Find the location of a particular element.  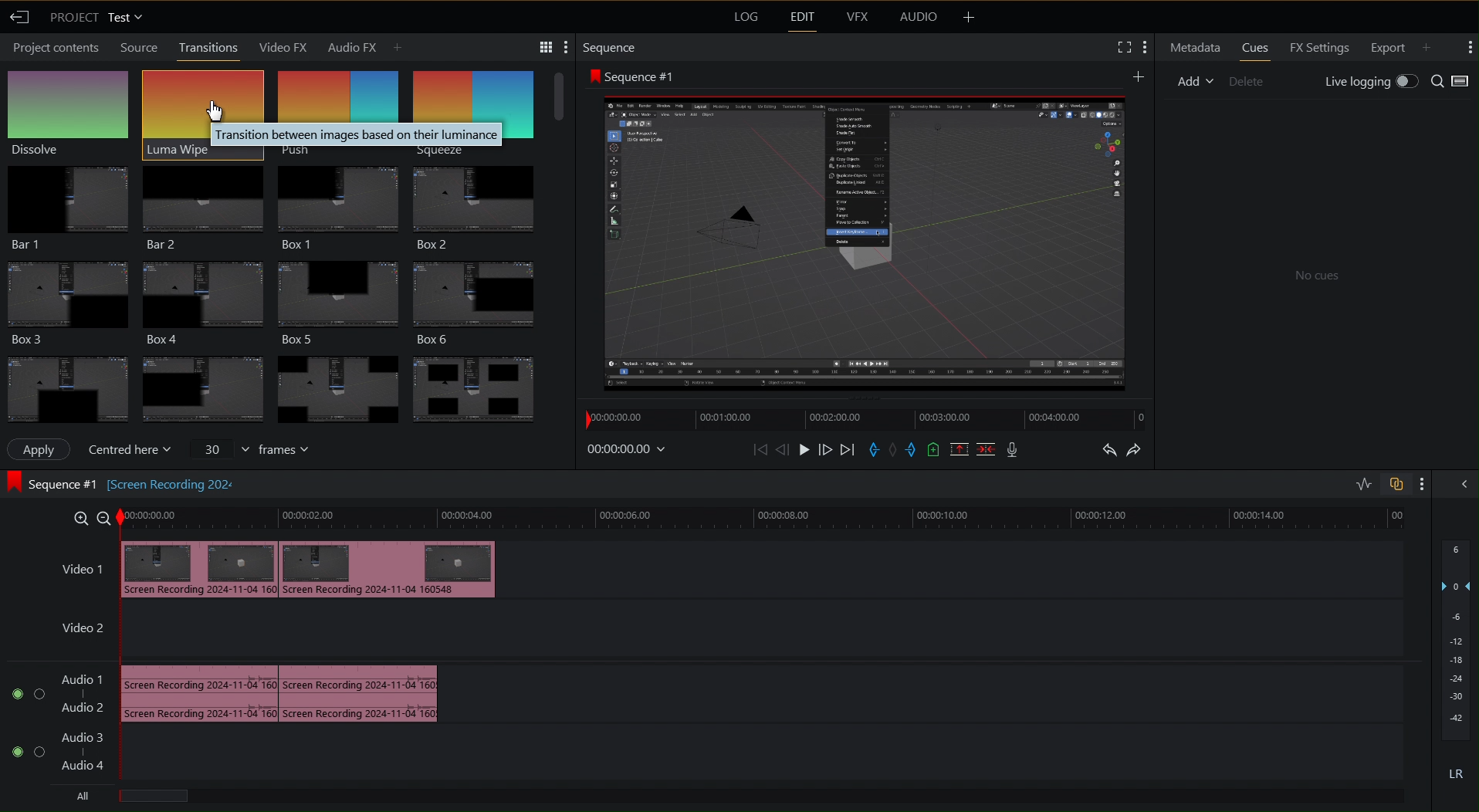

Box 4 is located at coordinates (201, 299).